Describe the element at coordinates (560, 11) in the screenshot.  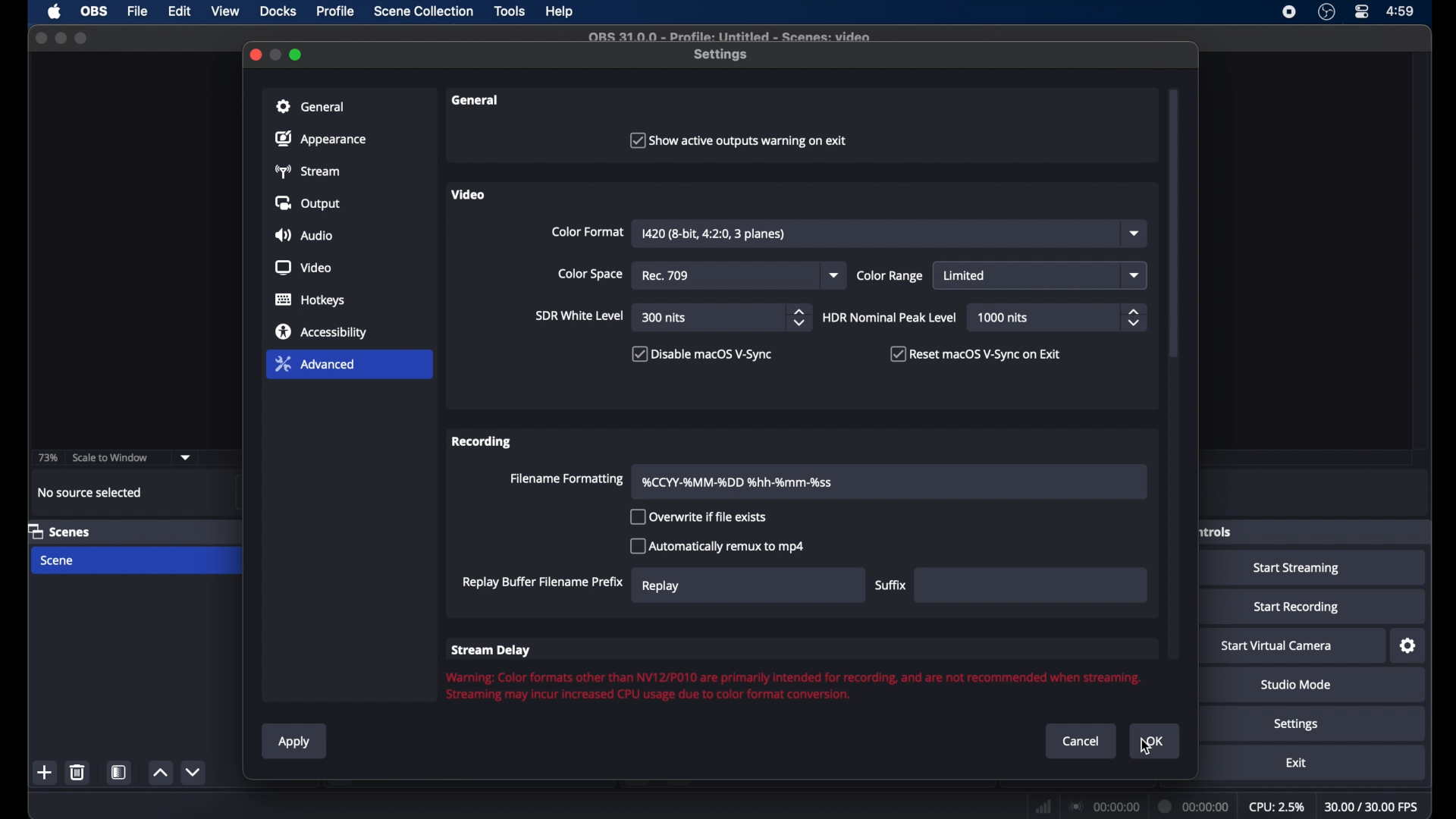
I see `help` at that location.